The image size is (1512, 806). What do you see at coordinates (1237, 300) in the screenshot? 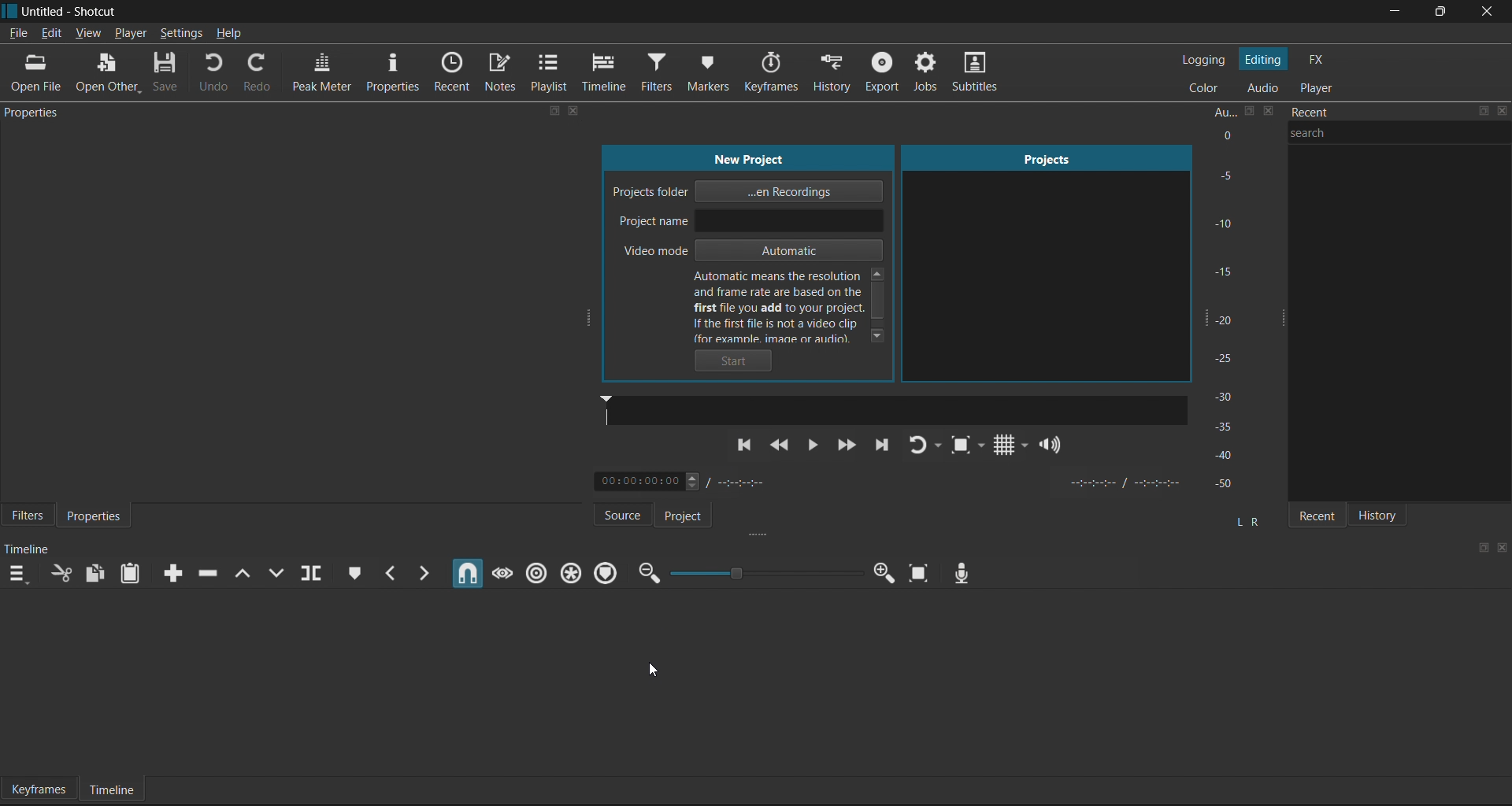
I see `Audio Peak Meter` at bounding box center [1237, 300].